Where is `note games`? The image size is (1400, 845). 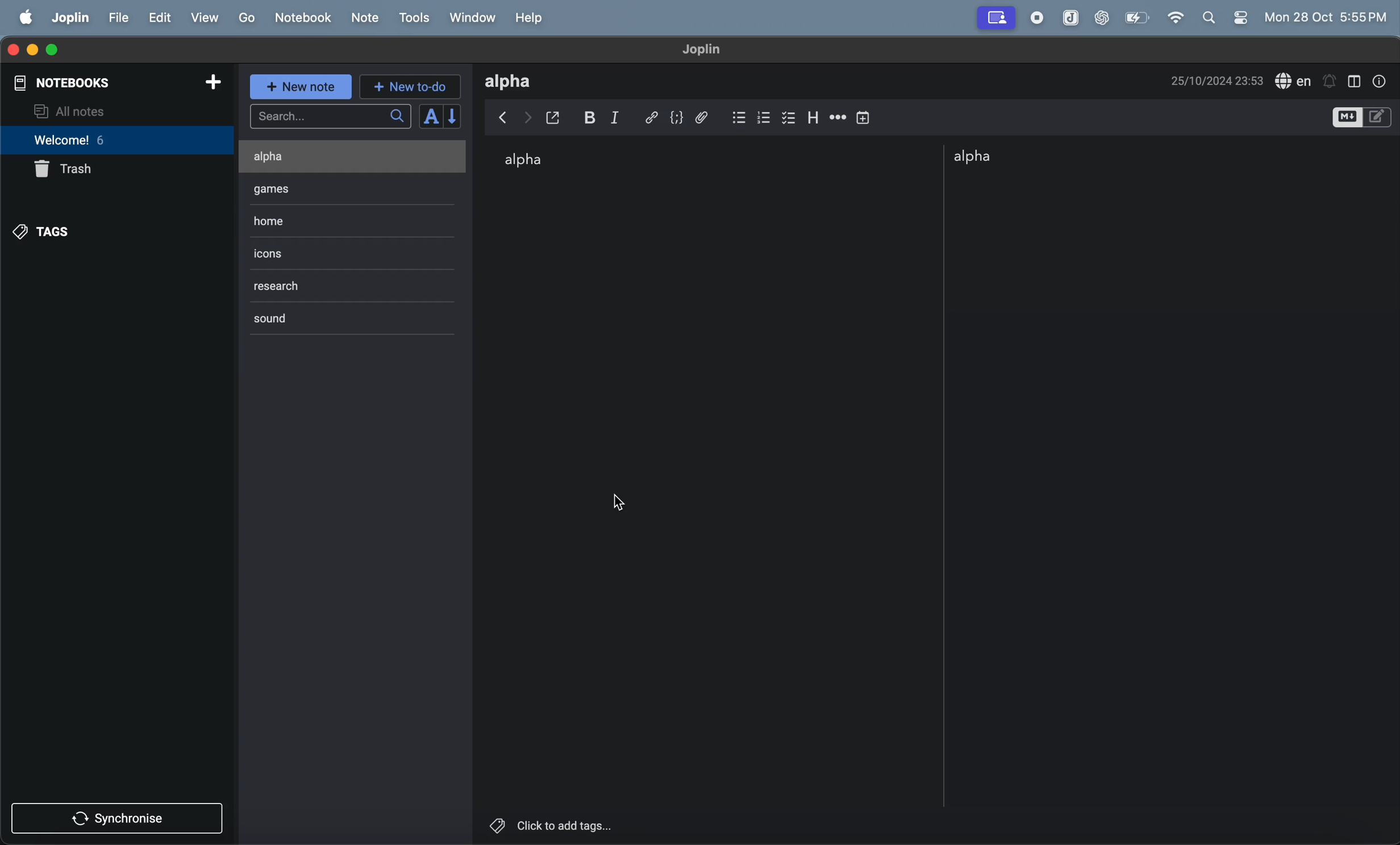
note games is located at coordinates (322, 189).